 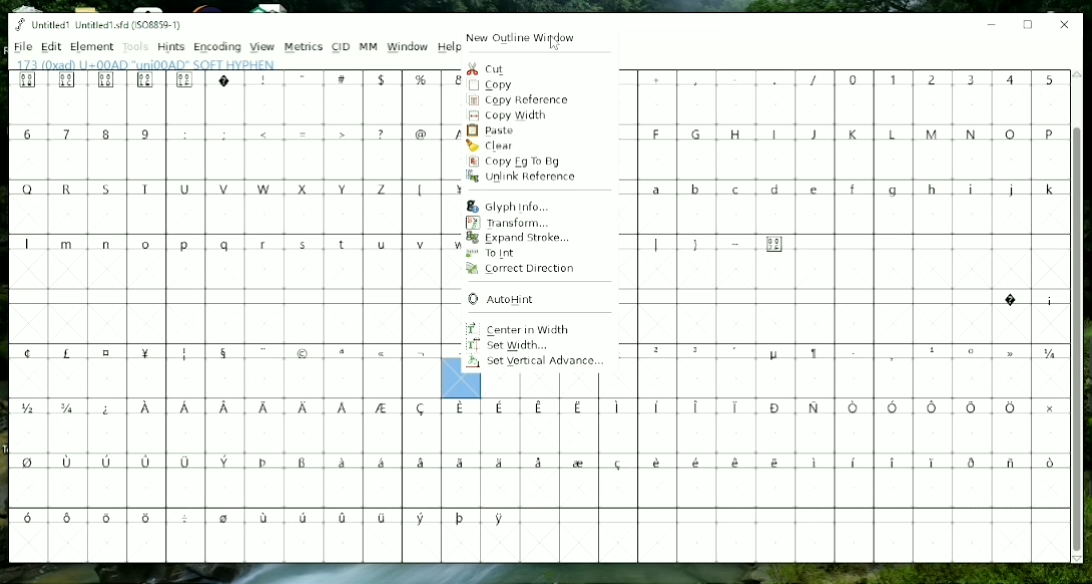 I want to click on To Int, so click(x=492, y=253).